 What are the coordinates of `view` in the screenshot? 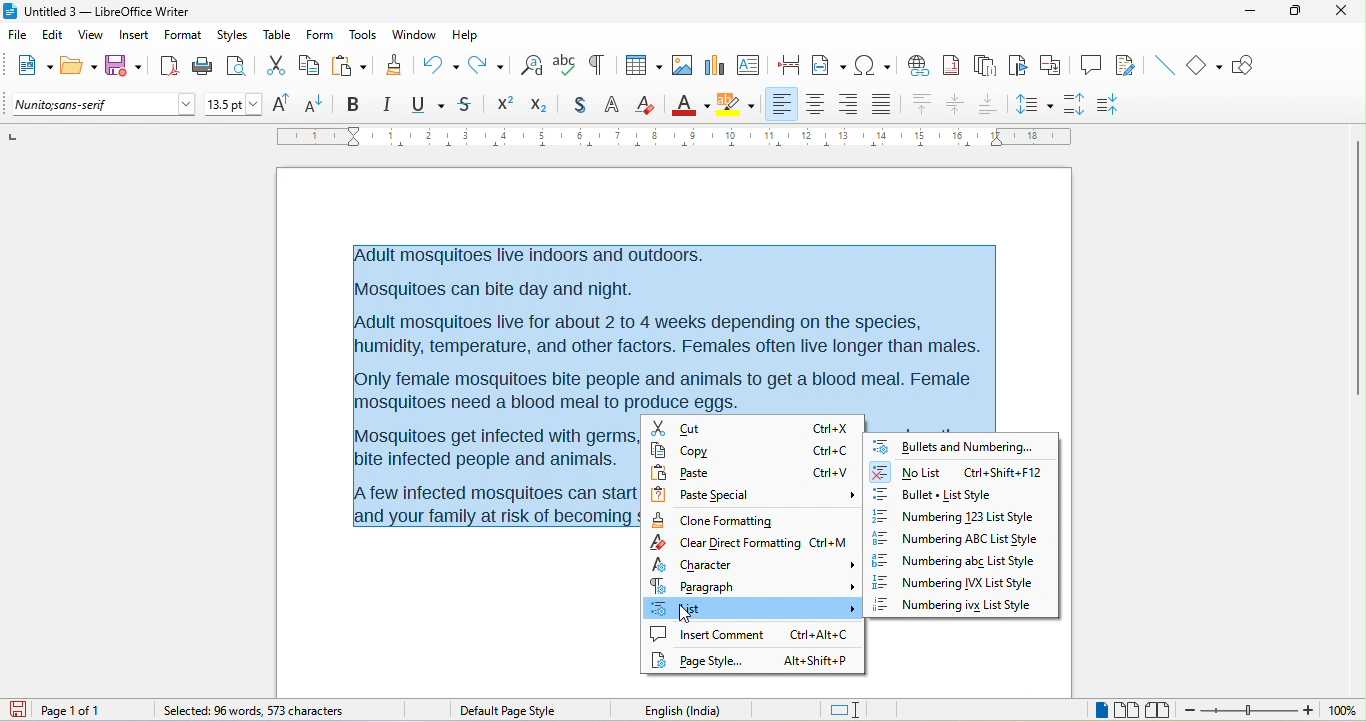 It's located at (94, 36).